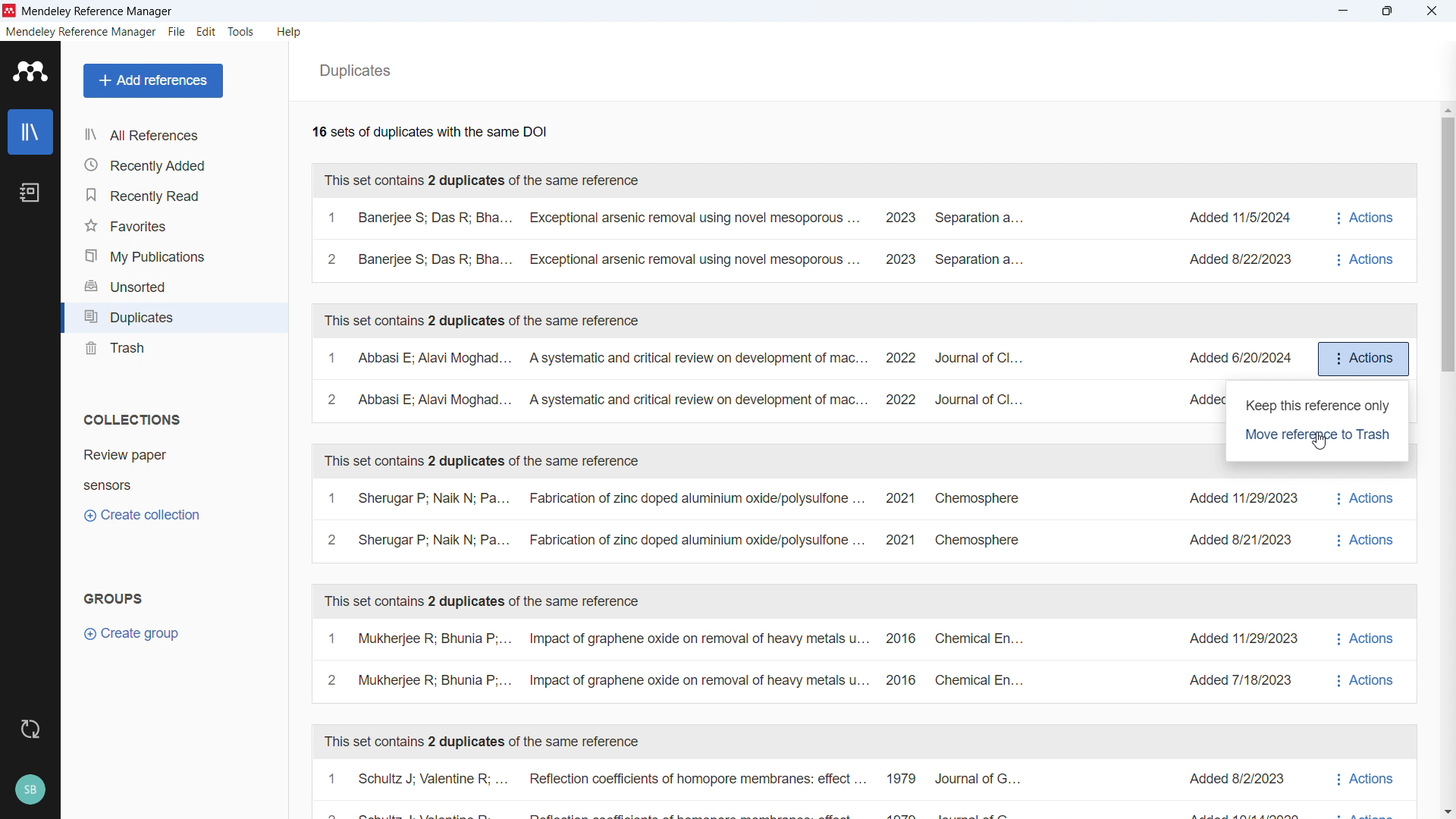 The width and height of the screenshot is (1456, 819). I want to click on This set contains 2 duplicates of the same reference, so click(491, 602).